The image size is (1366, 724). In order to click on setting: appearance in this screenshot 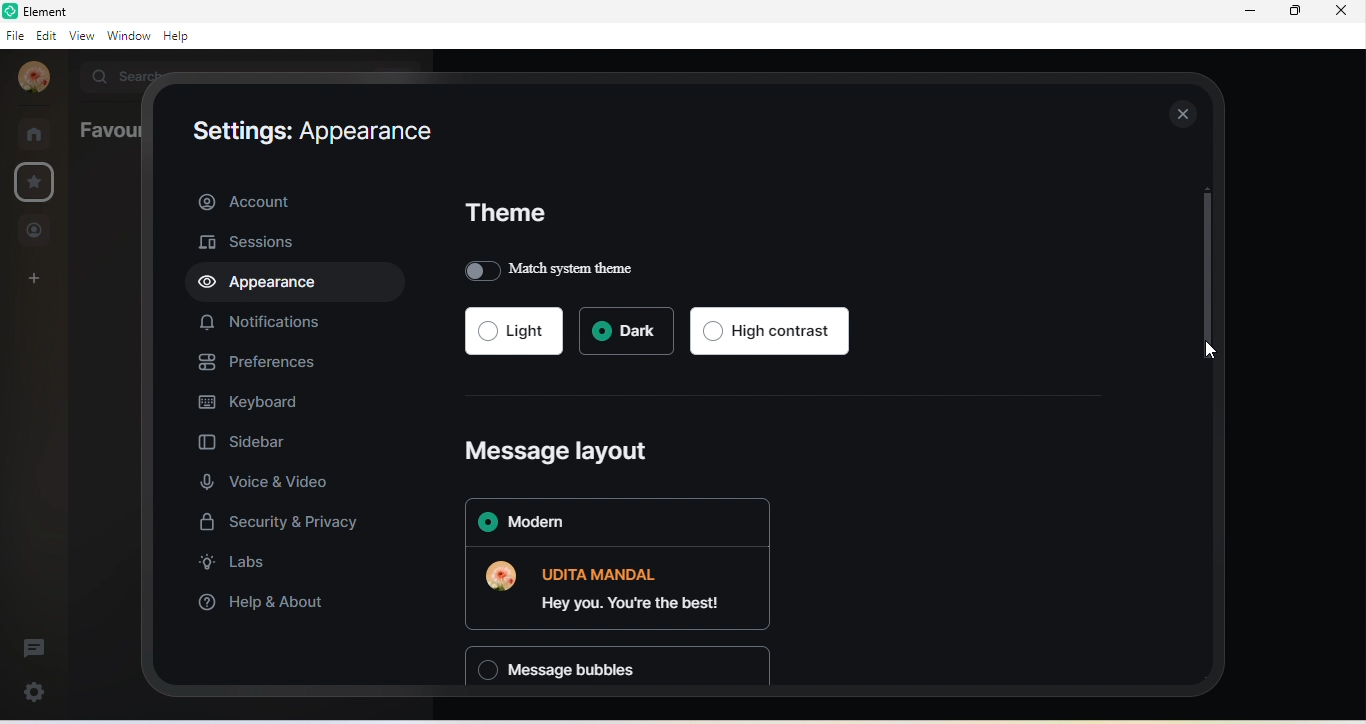, I will do `click(317, 132)`.